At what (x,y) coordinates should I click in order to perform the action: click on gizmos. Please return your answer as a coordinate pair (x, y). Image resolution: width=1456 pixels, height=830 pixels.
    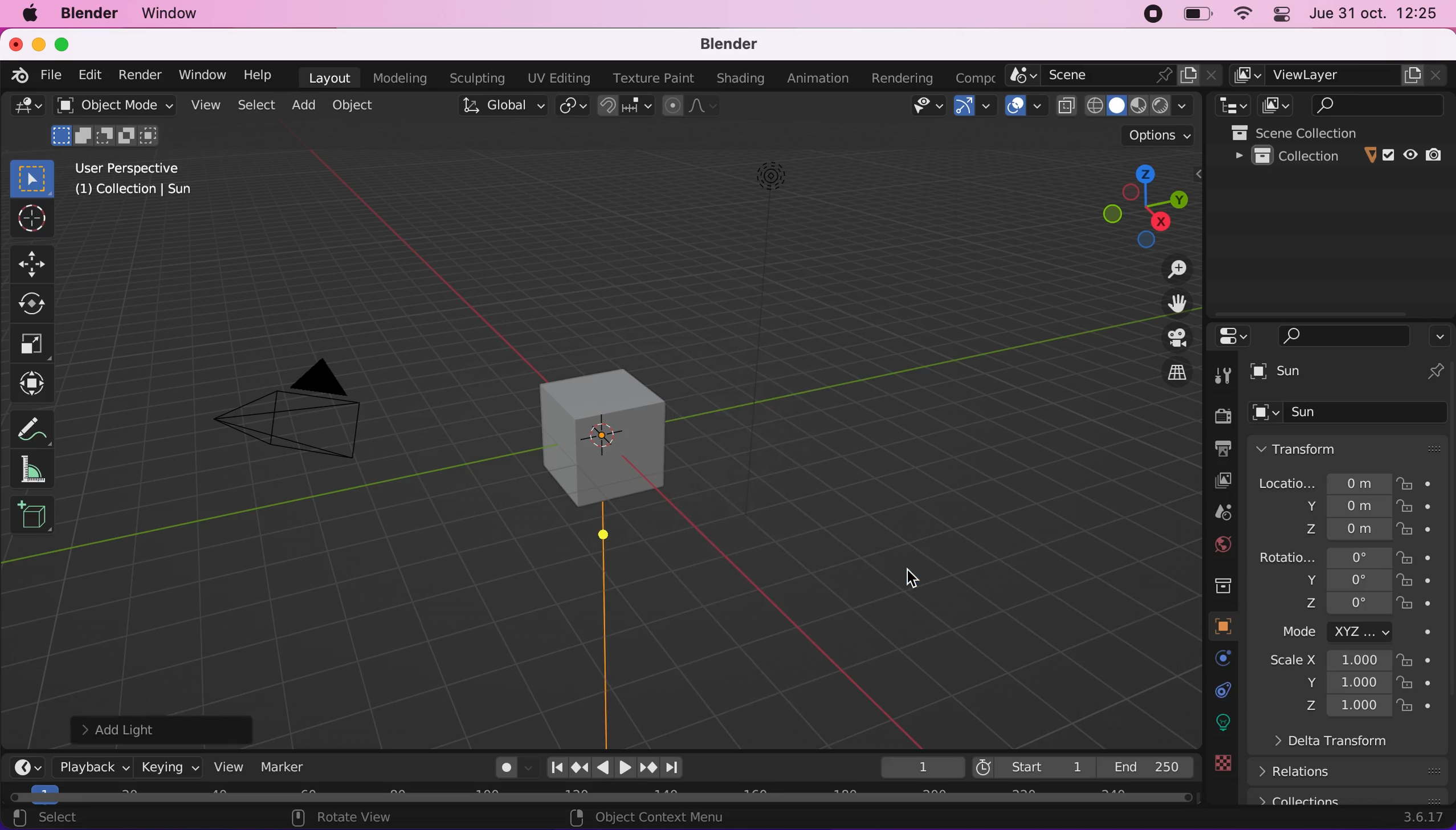
    Looking at the image, I should click on (974, 106).